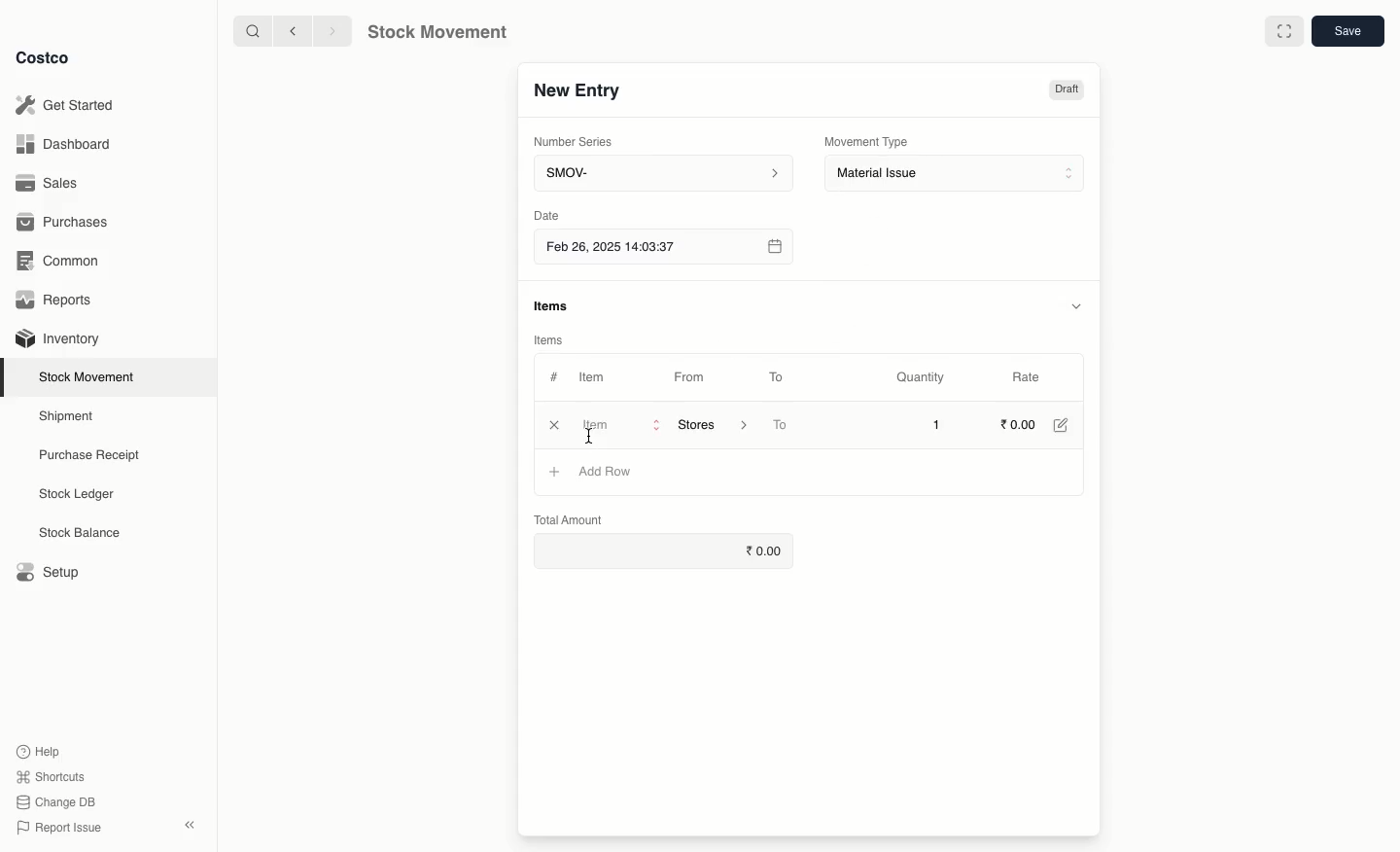  Describe the element at coordinates (77, 496) in the screenshot. I see `Stock Ledger` at that location.